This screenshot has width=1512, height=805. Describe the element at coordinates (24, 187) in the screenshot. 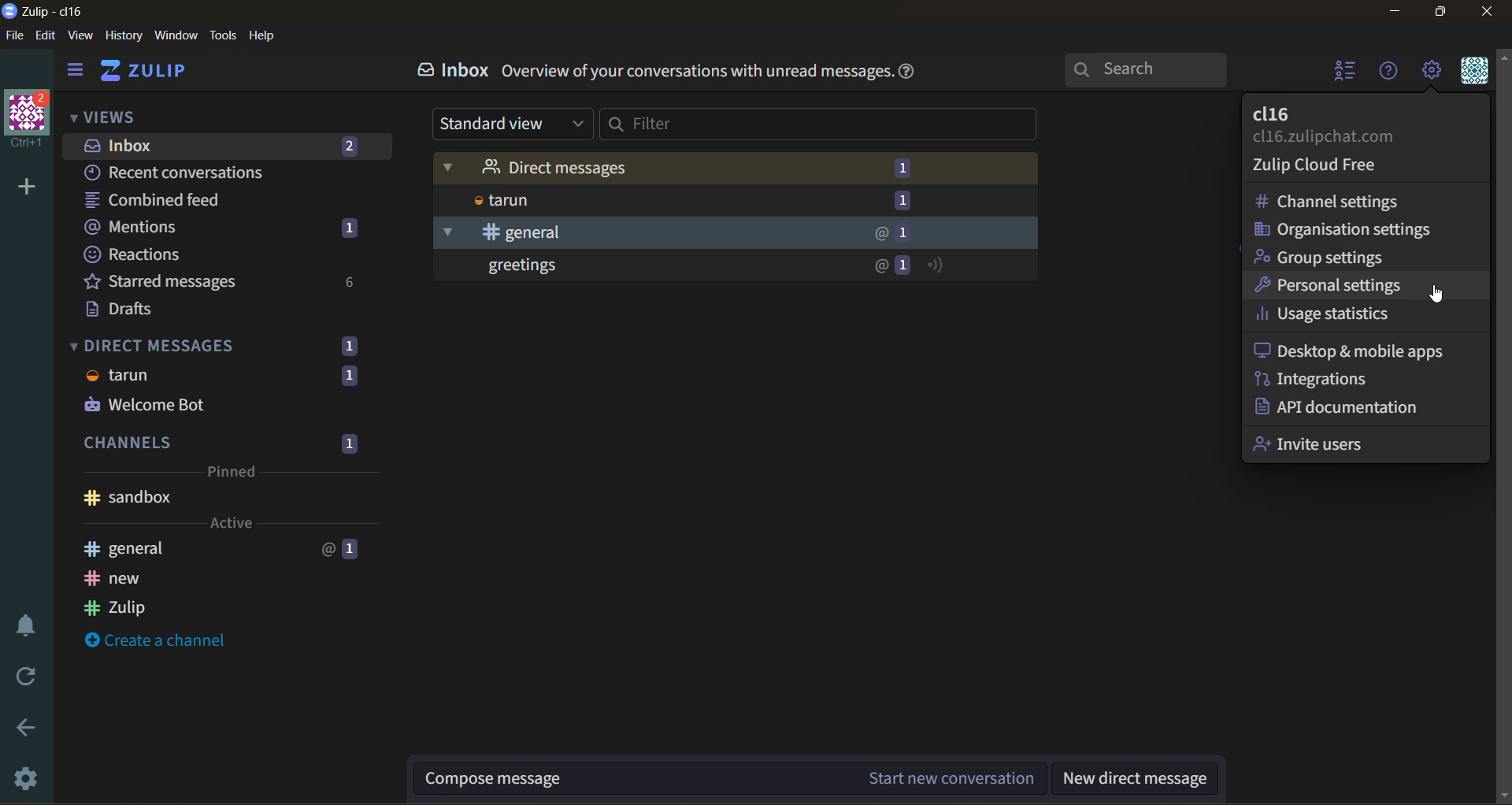

I see `add organisation` at that location.